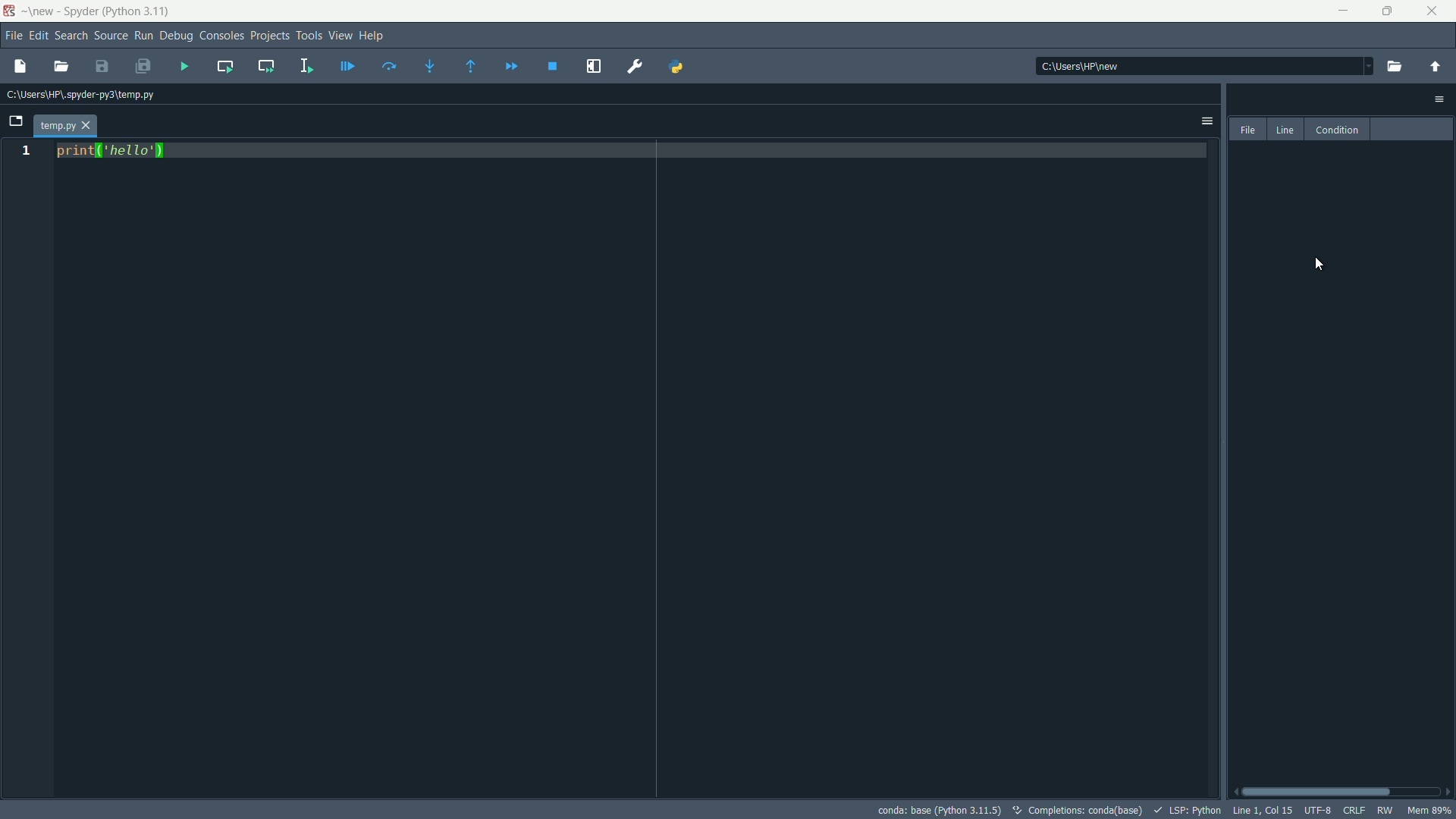 This screenshot has width=1456, height=819. What do you see at coordinates (103, 66) in the screenshot?
I see `save file` at bounding box center [103, 66].